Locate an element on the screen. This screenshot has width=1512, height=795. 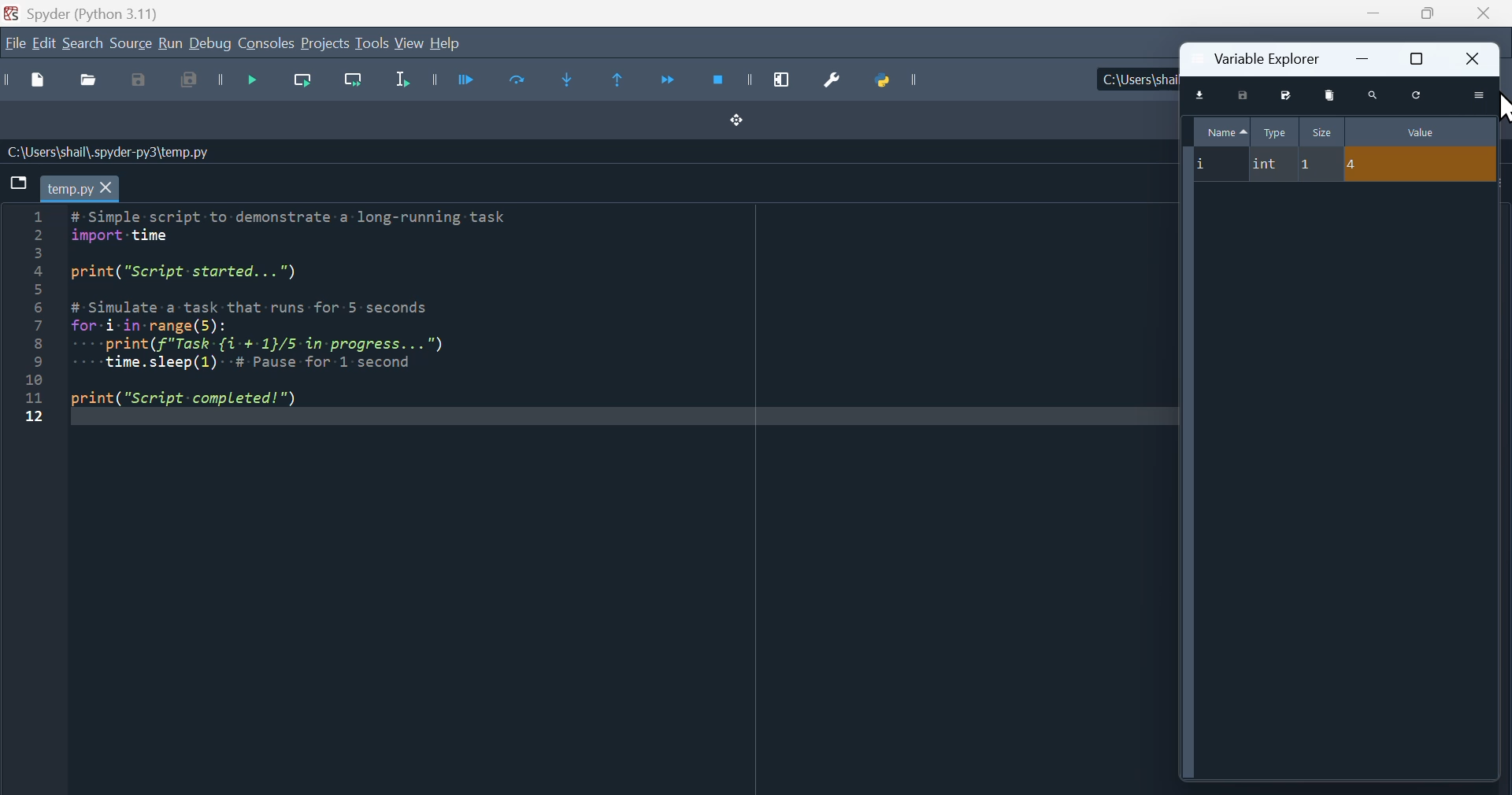
New file is located at coordinates (29, 80).